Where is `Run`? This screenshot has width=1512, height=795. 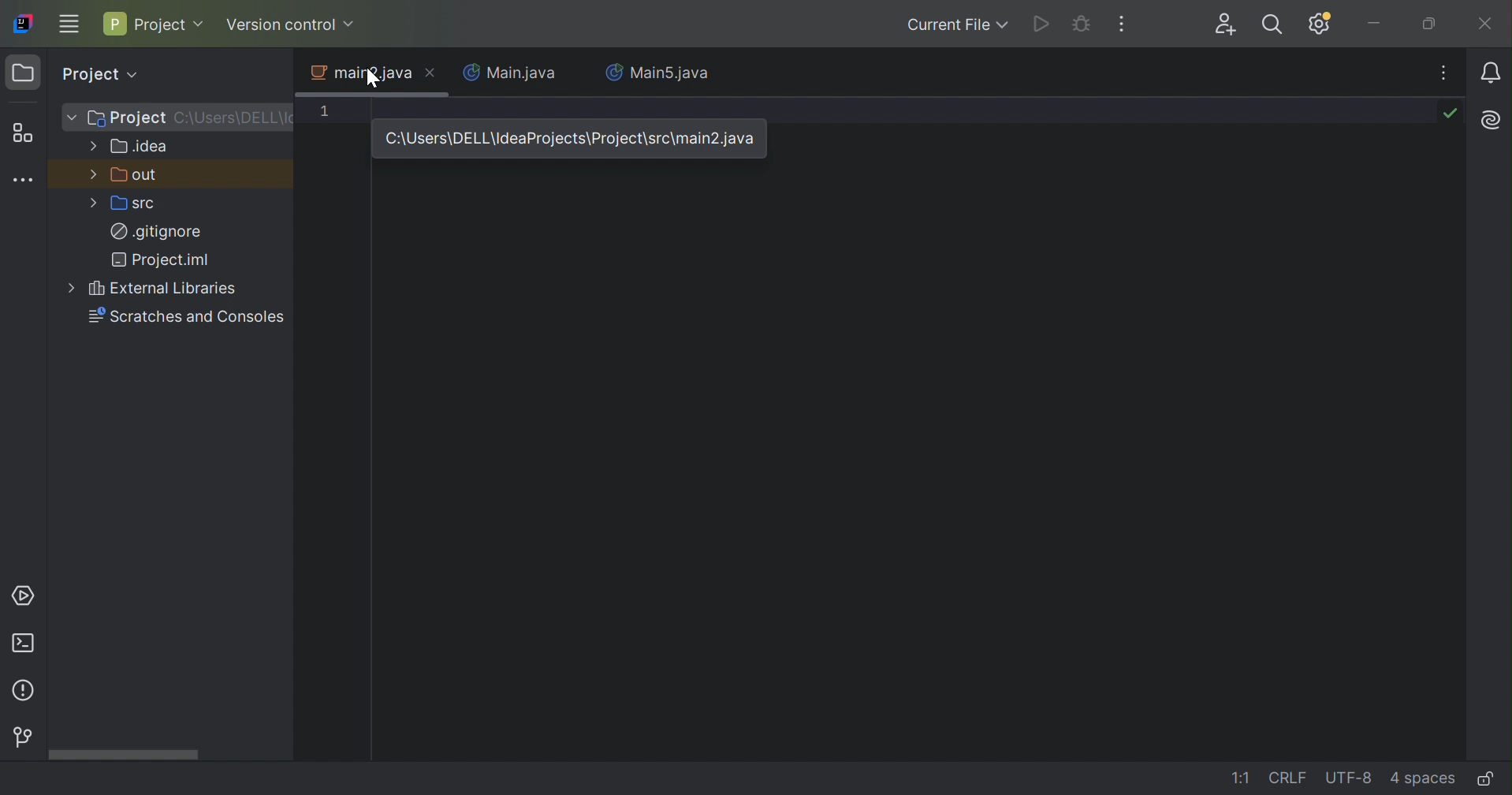
Run is located at coordinates (1045, 24).